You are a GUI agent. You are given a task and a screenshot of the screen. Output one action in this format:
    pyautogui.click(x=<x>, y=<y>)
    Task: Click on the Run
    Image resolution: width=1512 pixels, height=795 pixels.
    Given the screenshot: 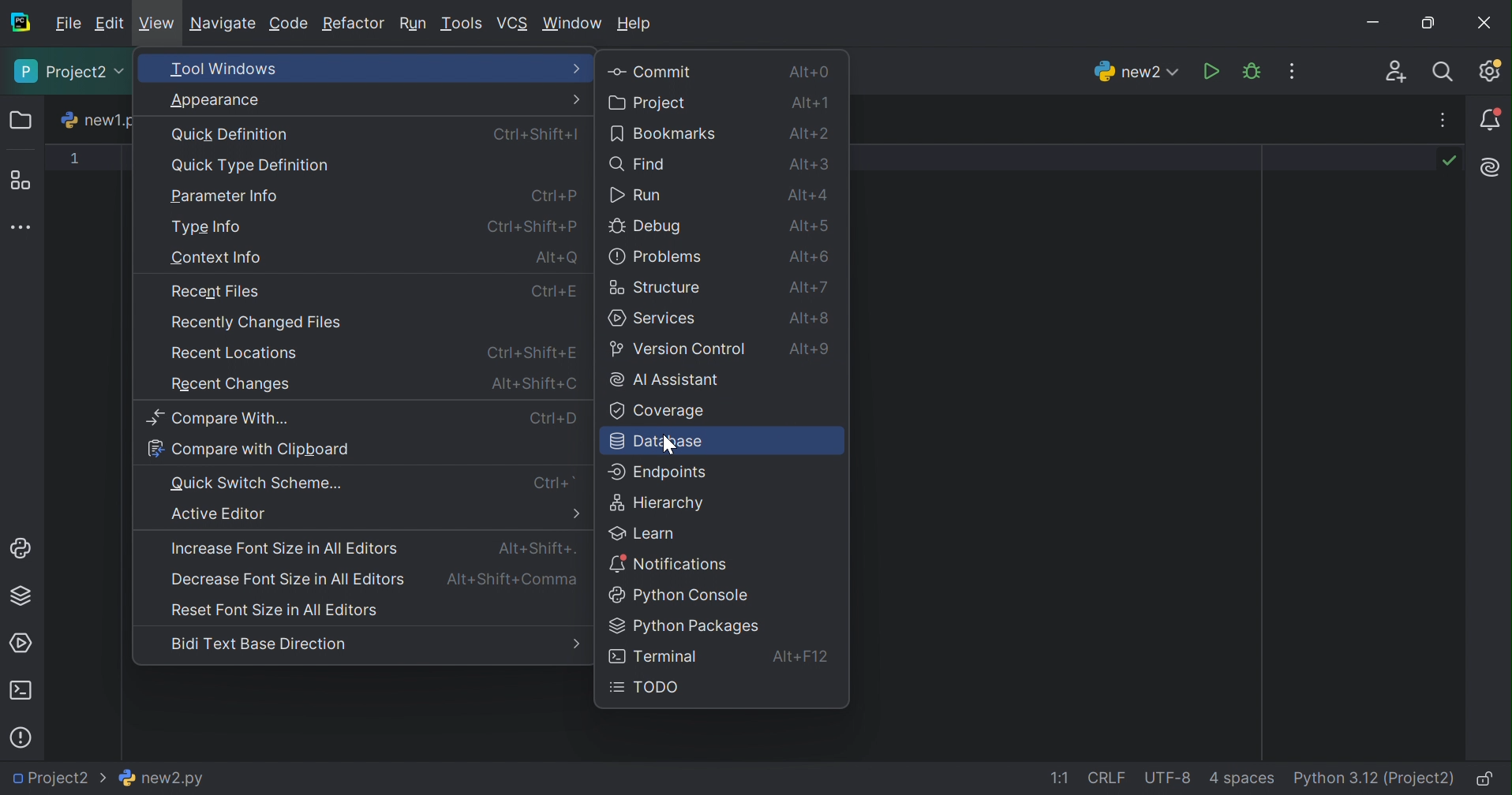 What is the action you would take?
    pyautogui.click(x=1214, y=72)
    